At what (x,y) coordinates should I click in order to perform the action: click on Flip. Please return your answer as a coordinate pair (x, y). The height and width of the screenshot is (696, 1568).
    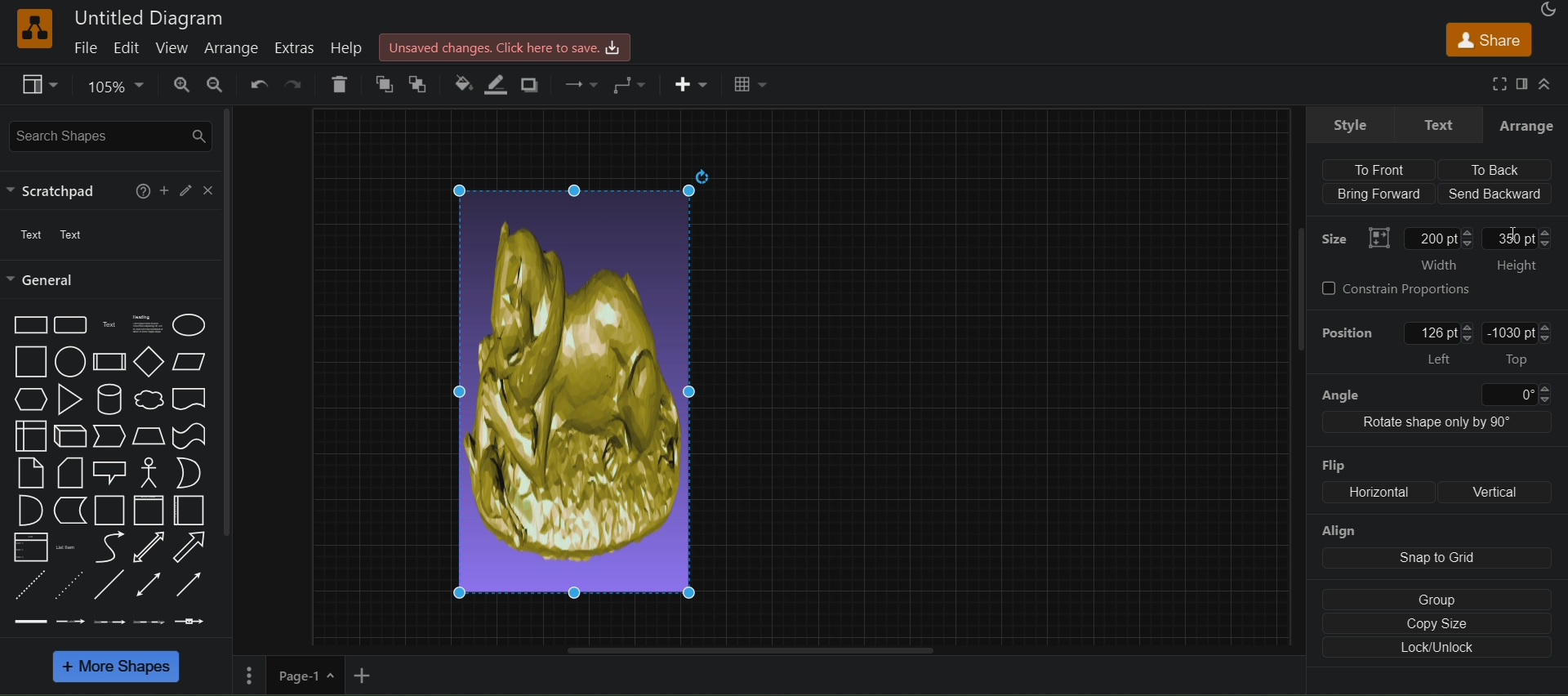
    Looking at the image, I should click on (1334, 465).